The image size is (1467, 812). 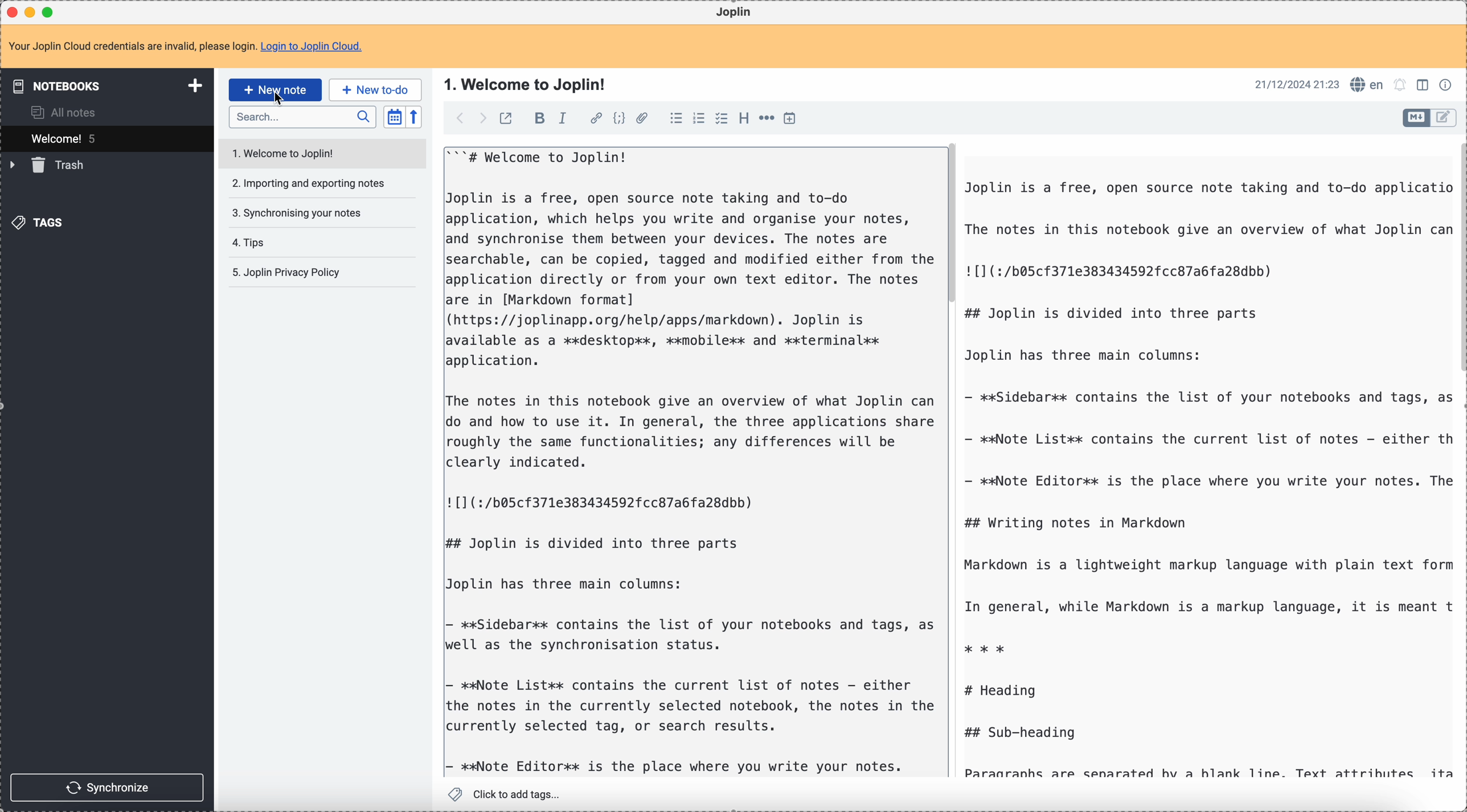 What do you see at coordinates (106, 138) in the screenshot?
I see `welcome` at bounding box center [106, 138].